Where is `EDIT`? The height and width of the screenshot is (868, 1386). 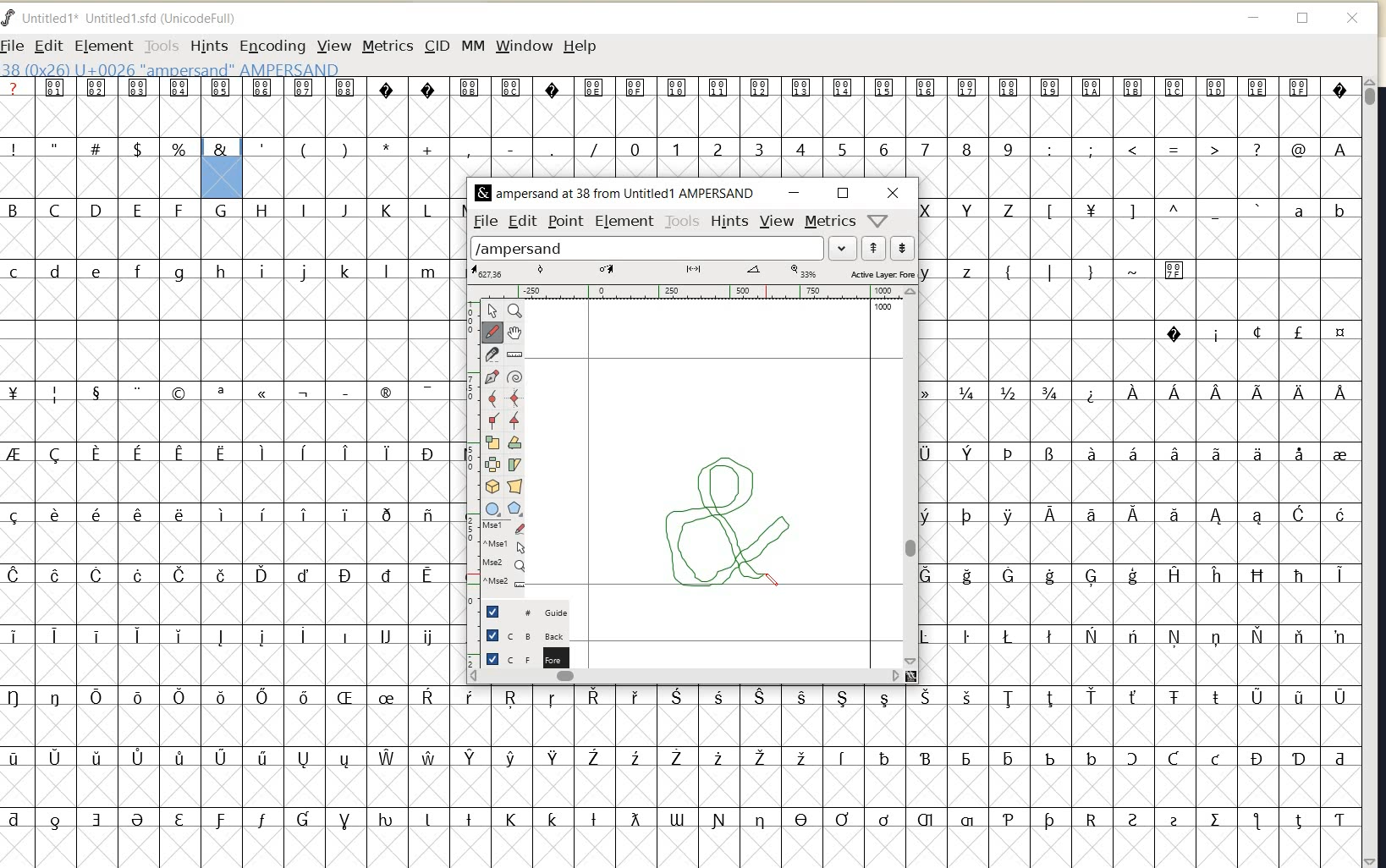 EDIT is located at coordinates (46, 45).